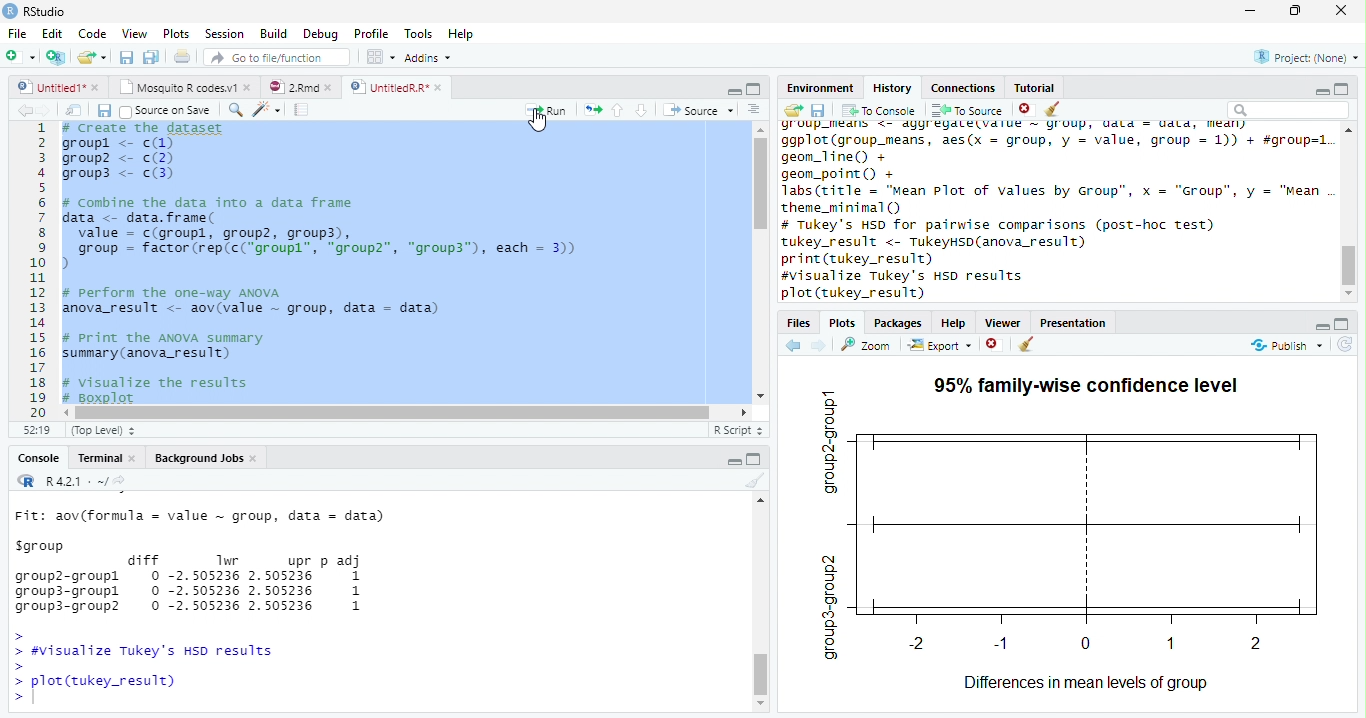  What do you see at coordinates (820, 88) in the screenshot?
I see `Environment` at bounding box center [820, 88].